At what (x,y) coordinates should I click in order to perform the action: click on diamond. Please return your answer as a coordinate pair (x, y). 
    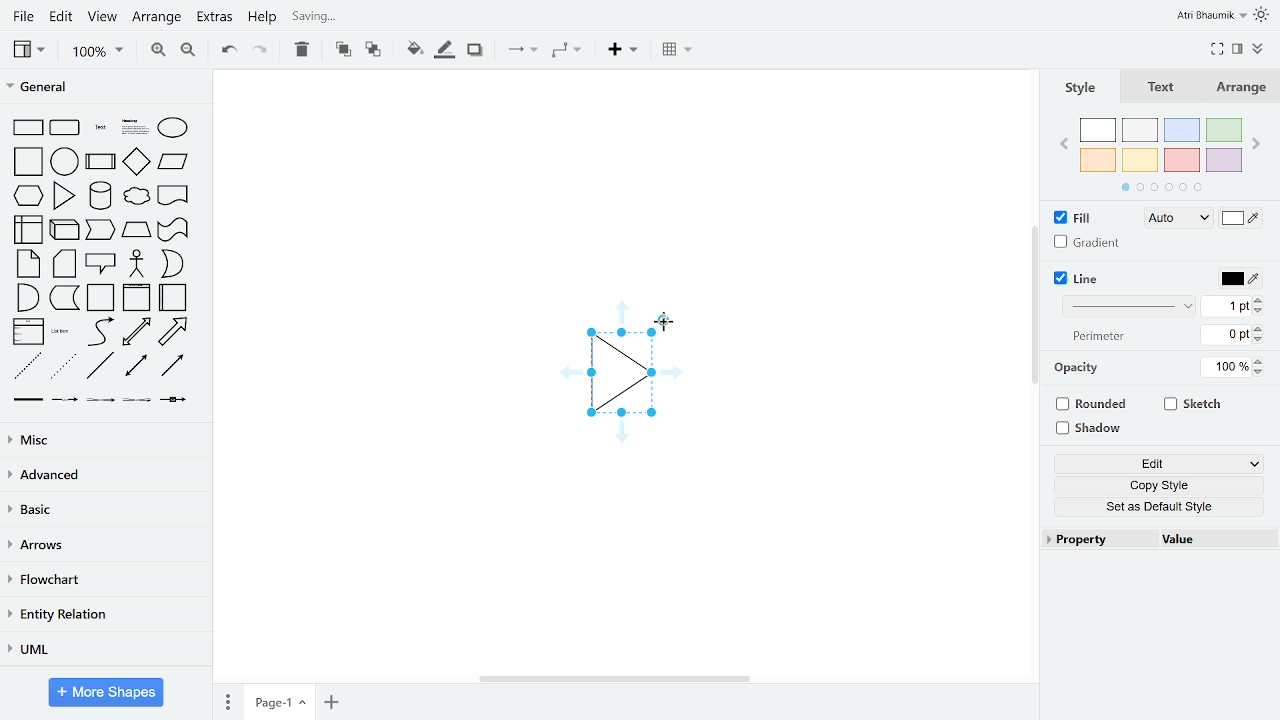
    Looking at the image, I should click on (136, 162).